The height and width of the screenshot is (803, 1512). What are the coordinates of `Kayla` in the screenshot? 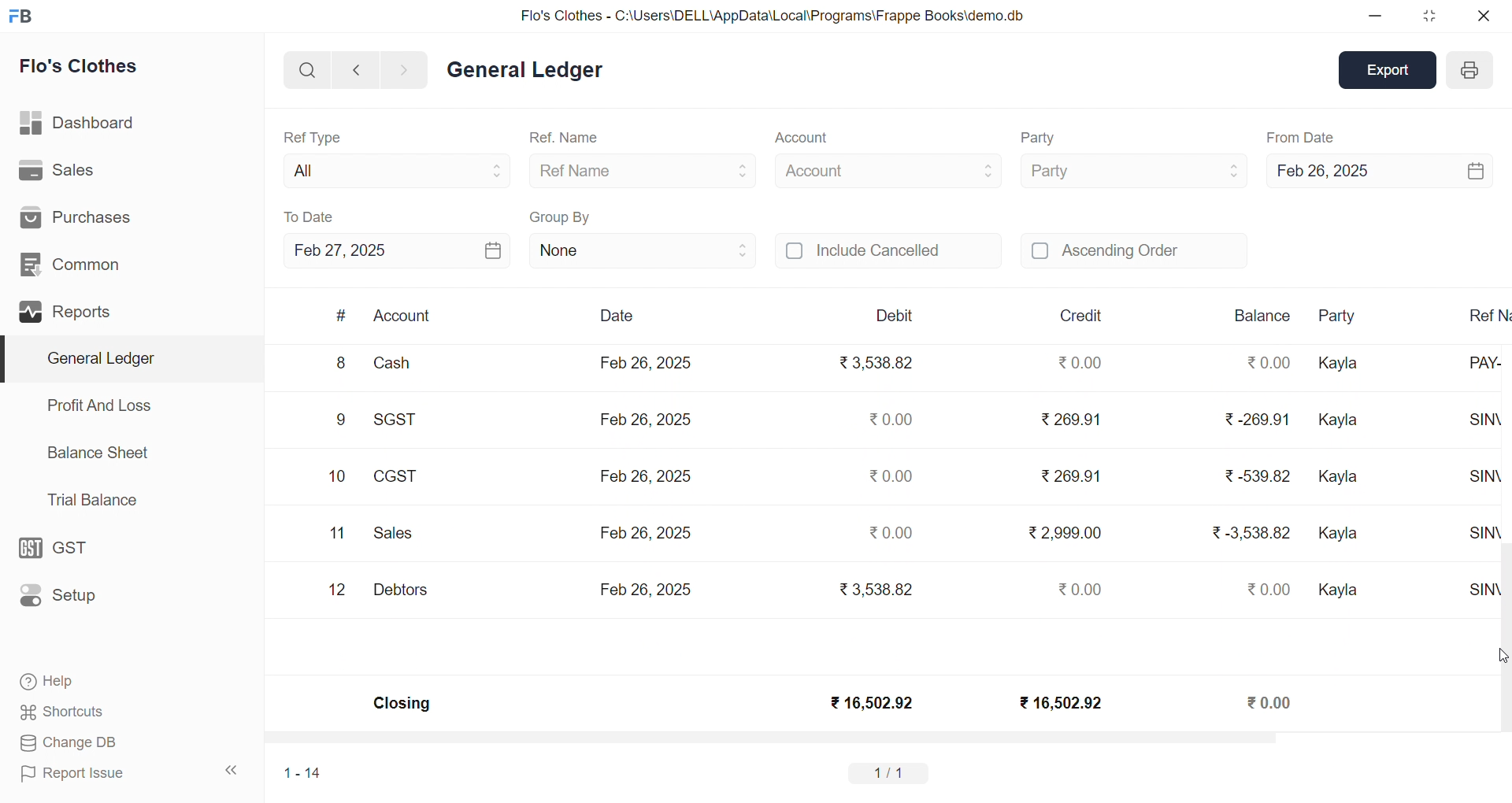 It's located at (1340, 534).